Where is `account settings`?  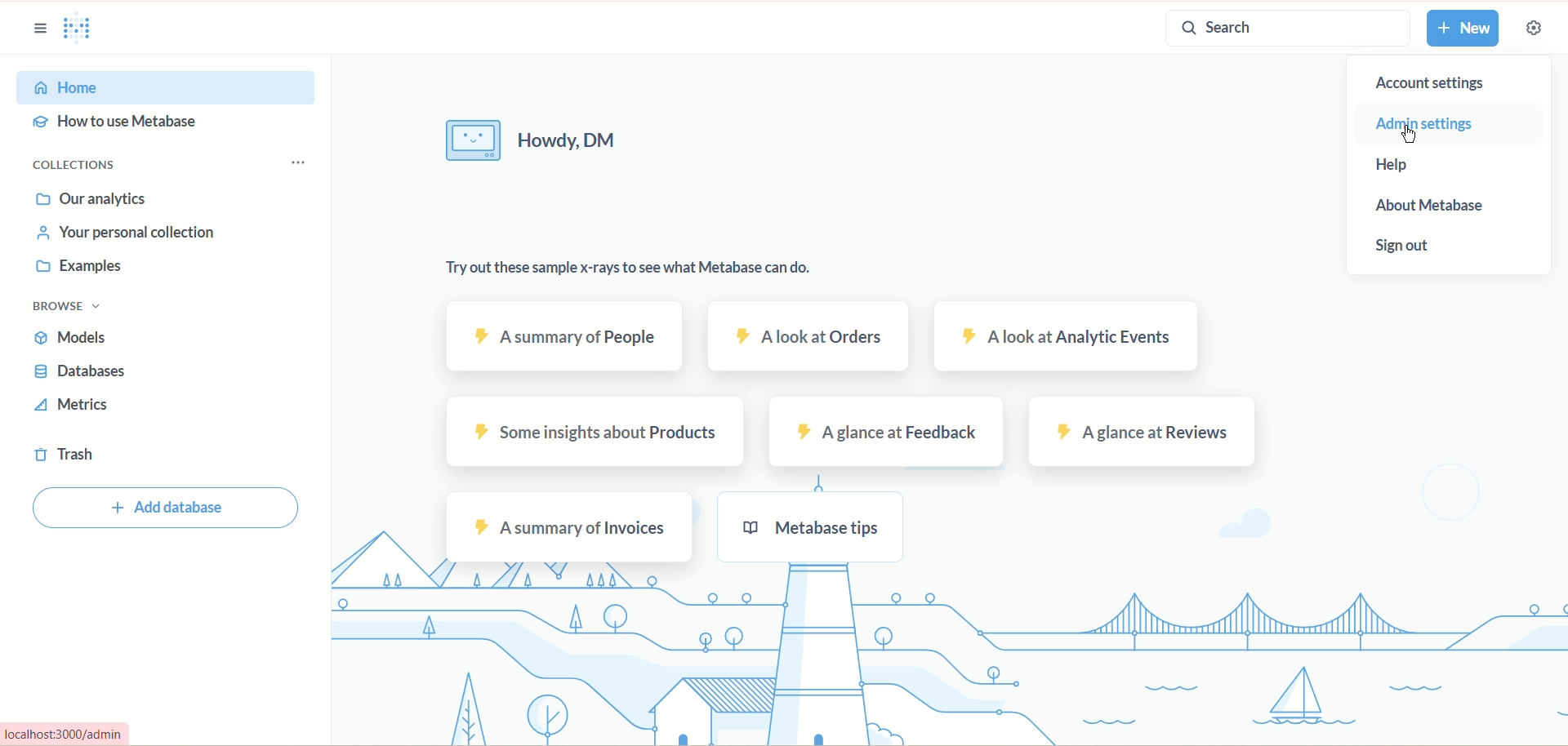 account settings is located at coordinates (1428, 87).